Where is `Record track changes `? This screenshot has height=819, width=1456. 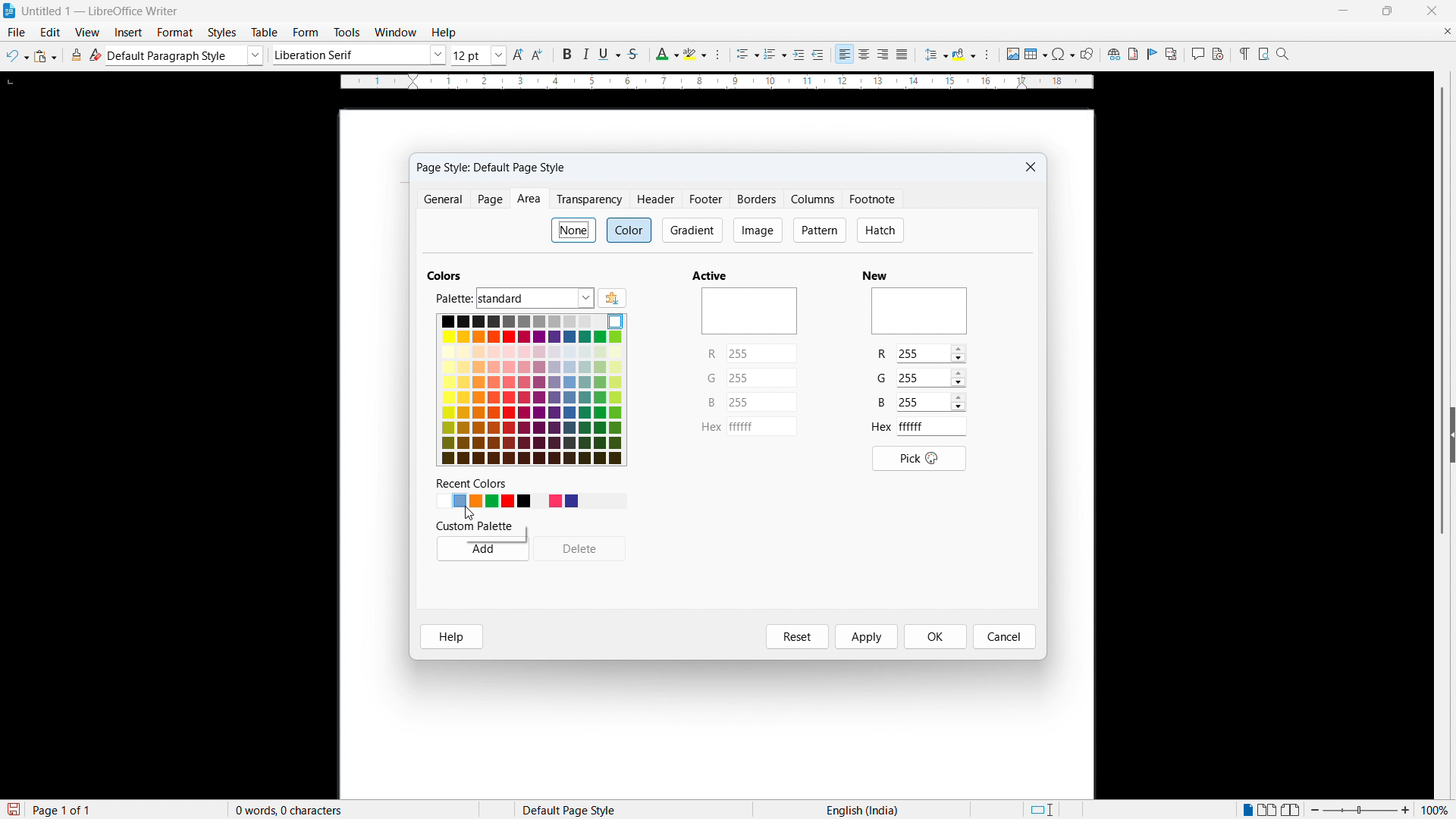
Record track changes  is located at coordinates (1218, 54).